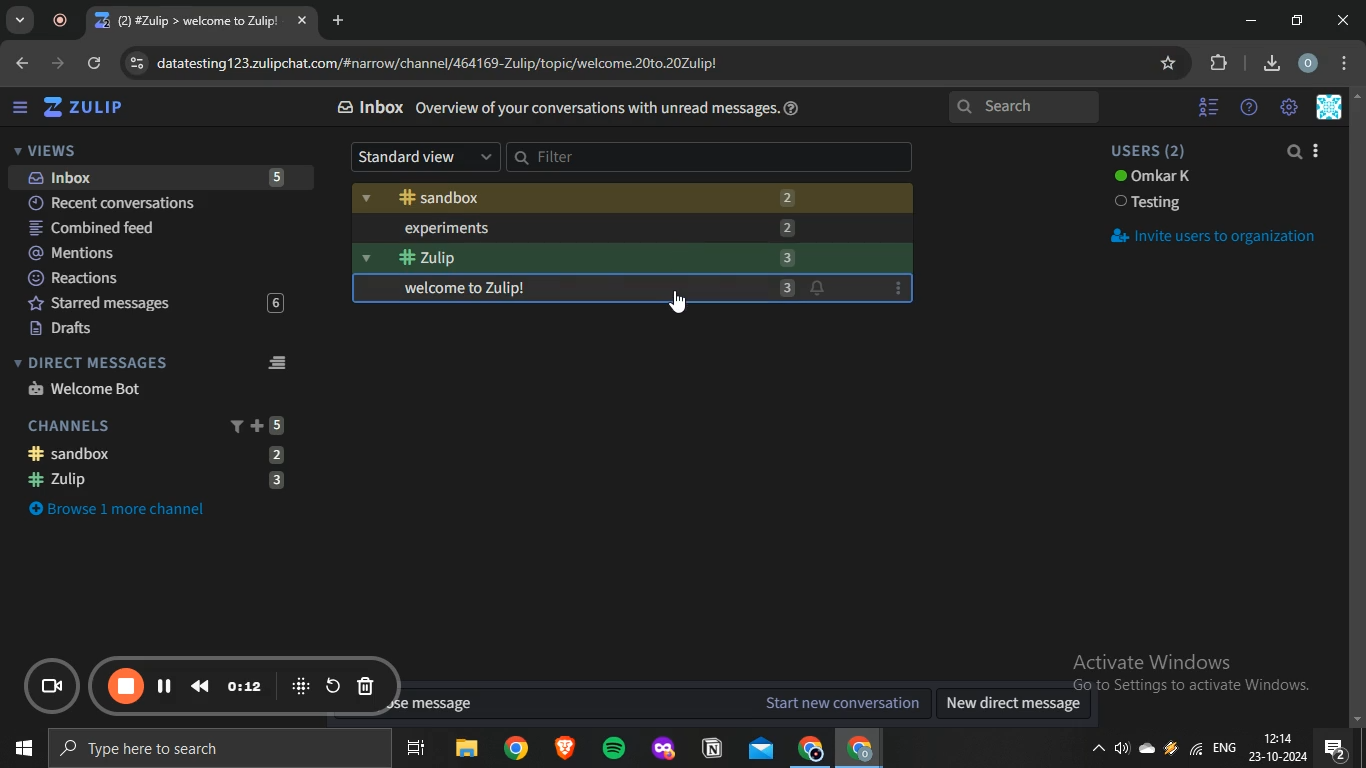 This screenshot has width=1366, height=768. Describe the element at coordinates (151, 329) in the screenshot. I see `drafts` at that location.